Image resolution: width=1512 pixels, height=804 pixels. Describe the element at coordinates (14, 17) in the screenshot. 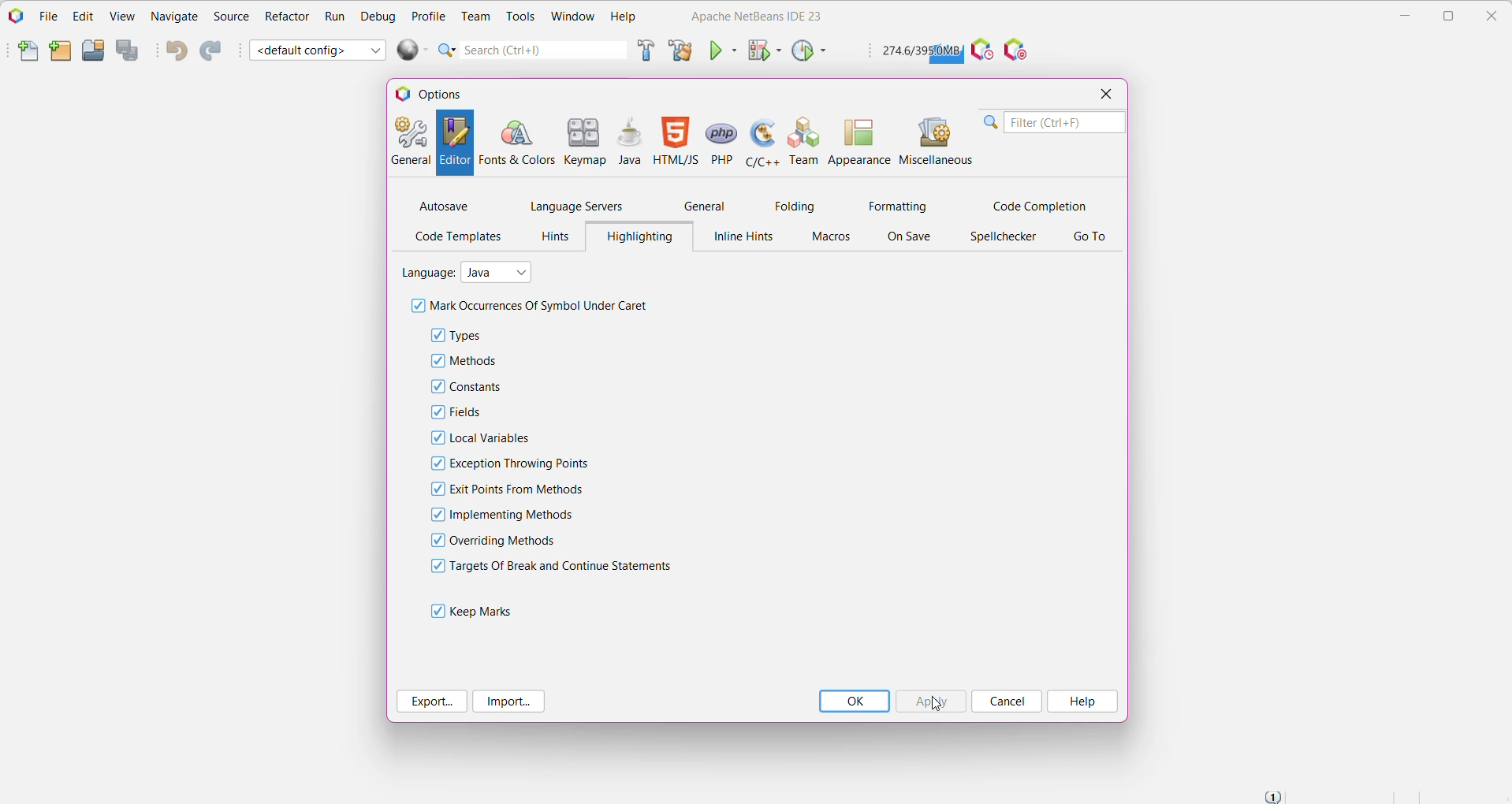

I see `Application Logo` at that location.